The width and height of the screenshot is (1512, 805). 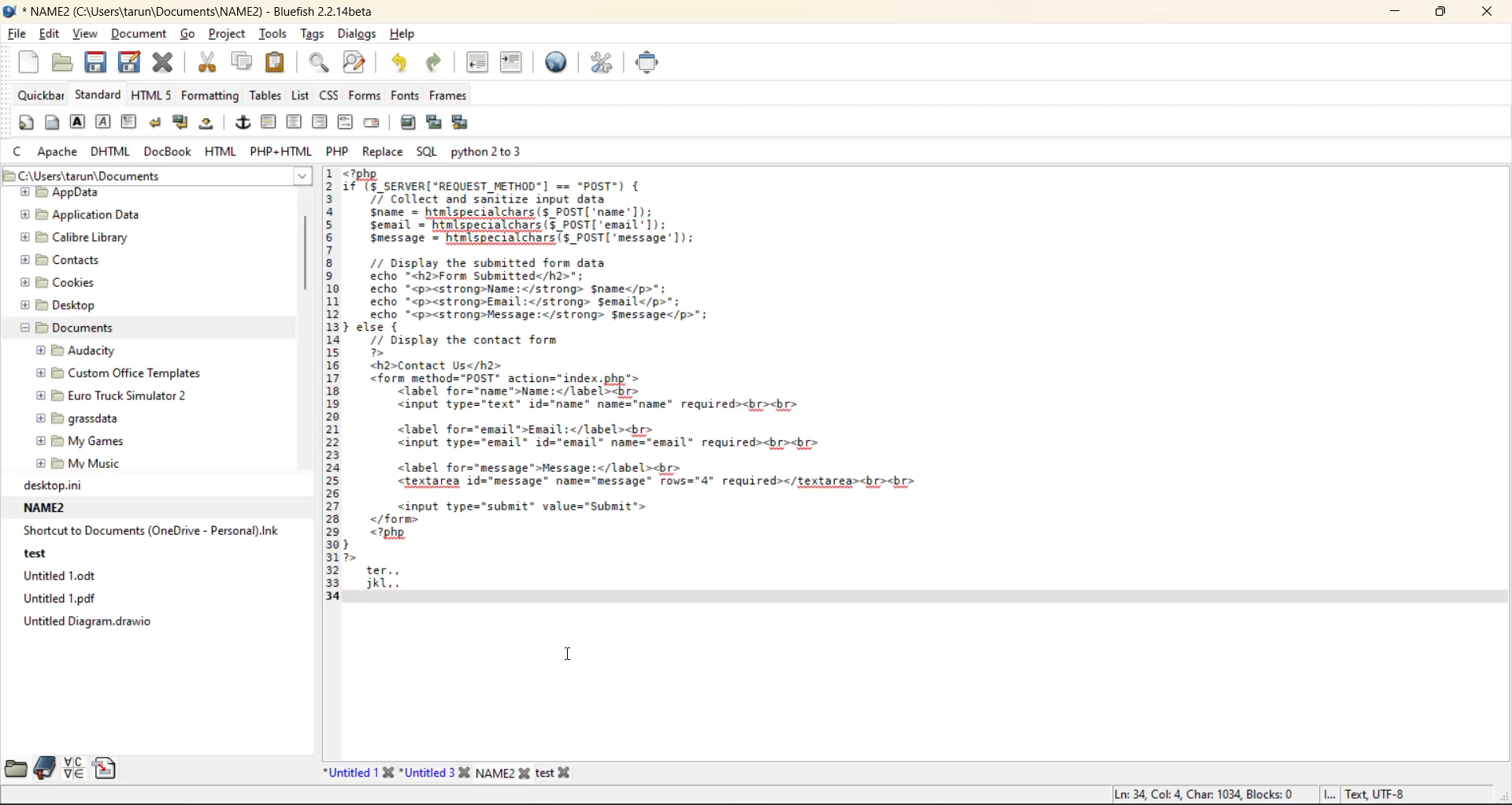 I want to click on sql, so click(x=425, y=154).